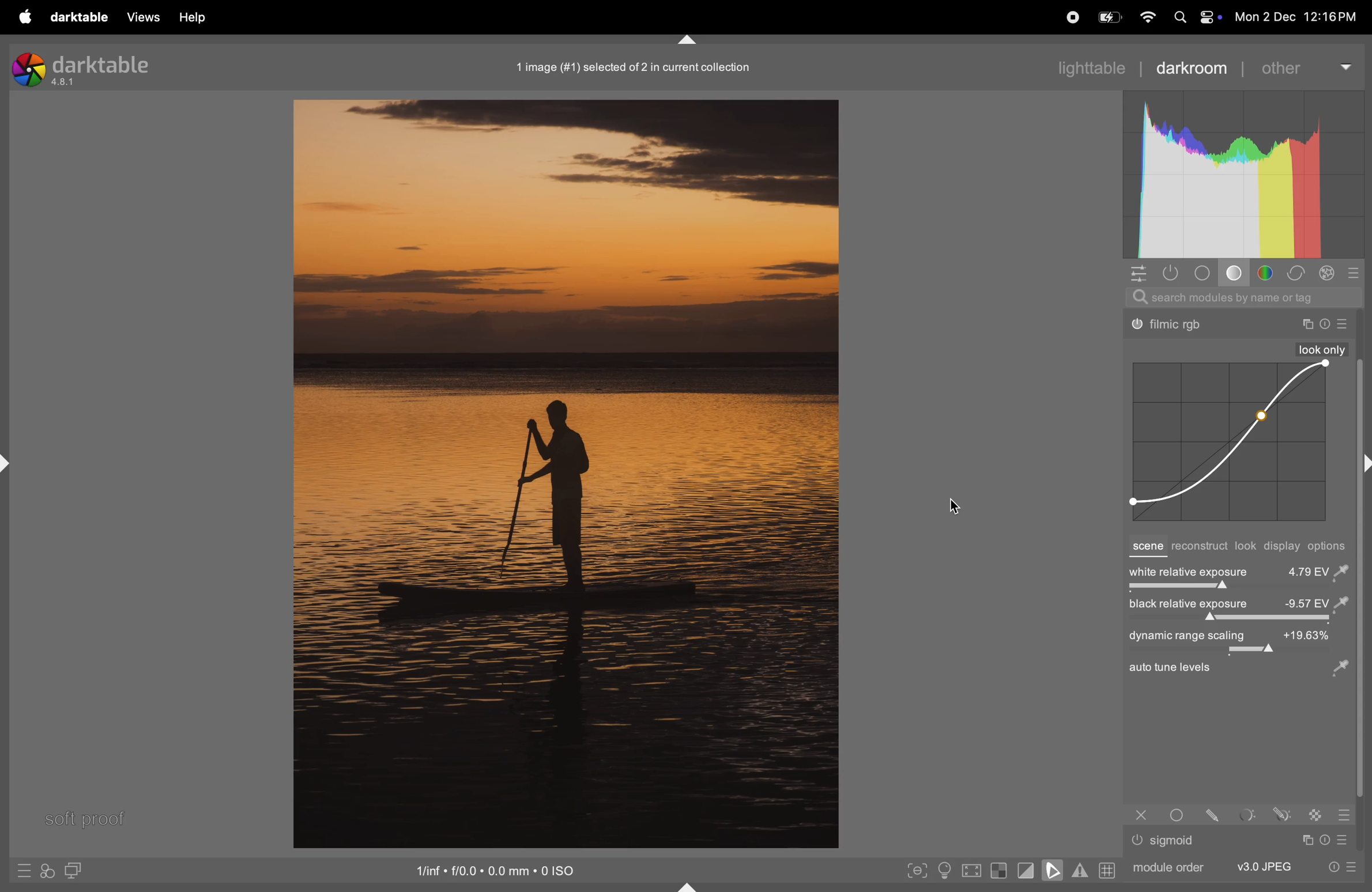 This screenshot has width=1372, height=892. What do you see at coordinates (1236, 619) in the screenshot?
I see `toggle bar` at bounding box center [1236, 619].